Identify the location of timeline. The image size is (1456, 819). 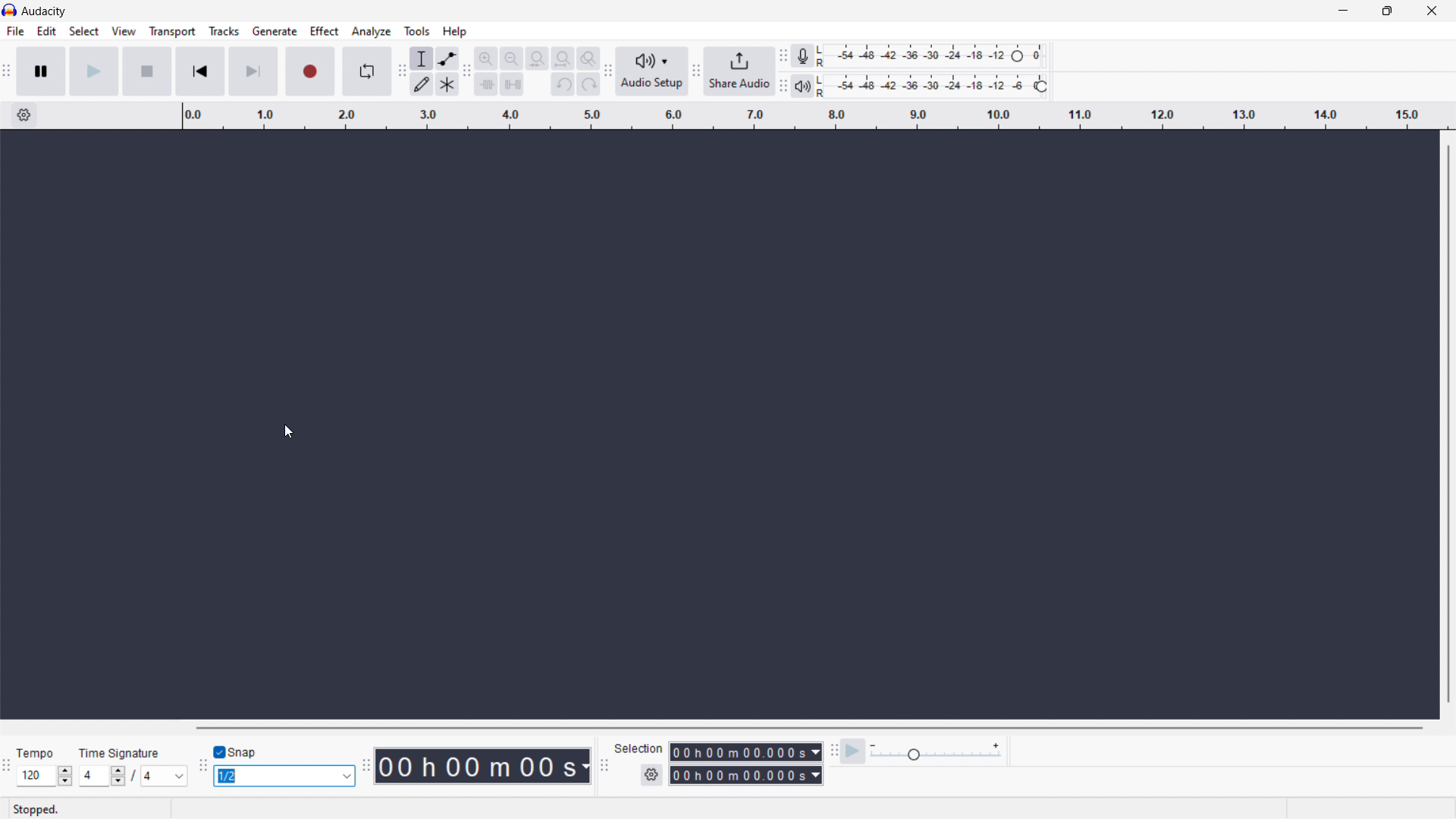
(813, 116).